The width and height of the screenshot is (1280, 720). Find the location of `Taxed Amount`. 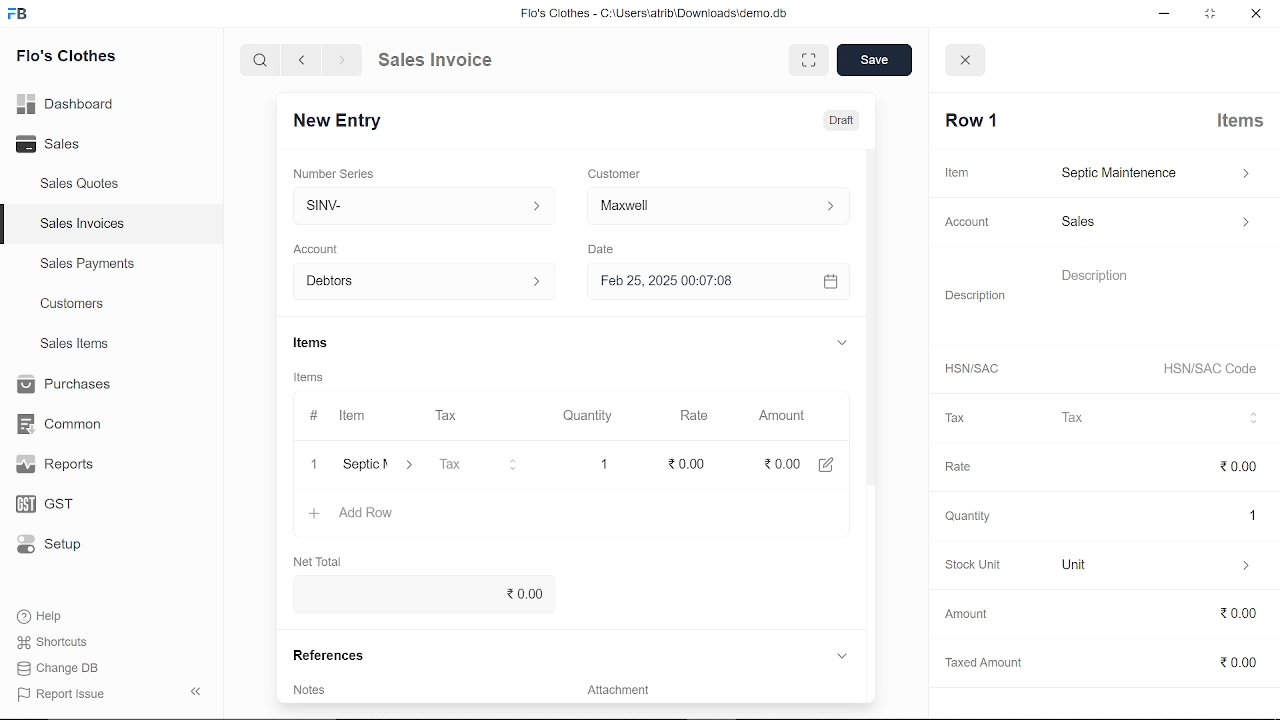

Taxed Amount is located at coordinates (978, 659).